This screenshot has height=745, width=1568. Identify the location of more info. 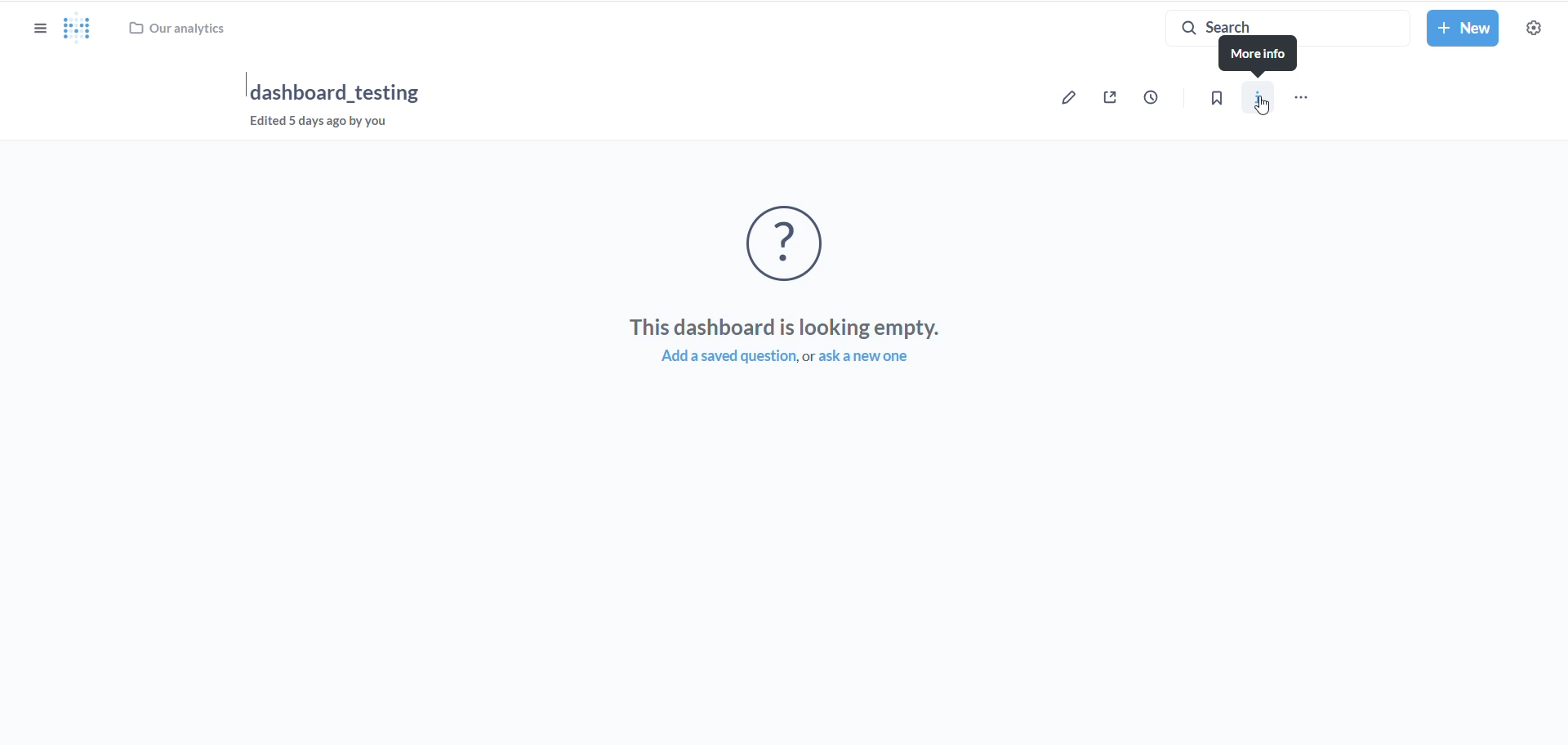
(1257, 56).